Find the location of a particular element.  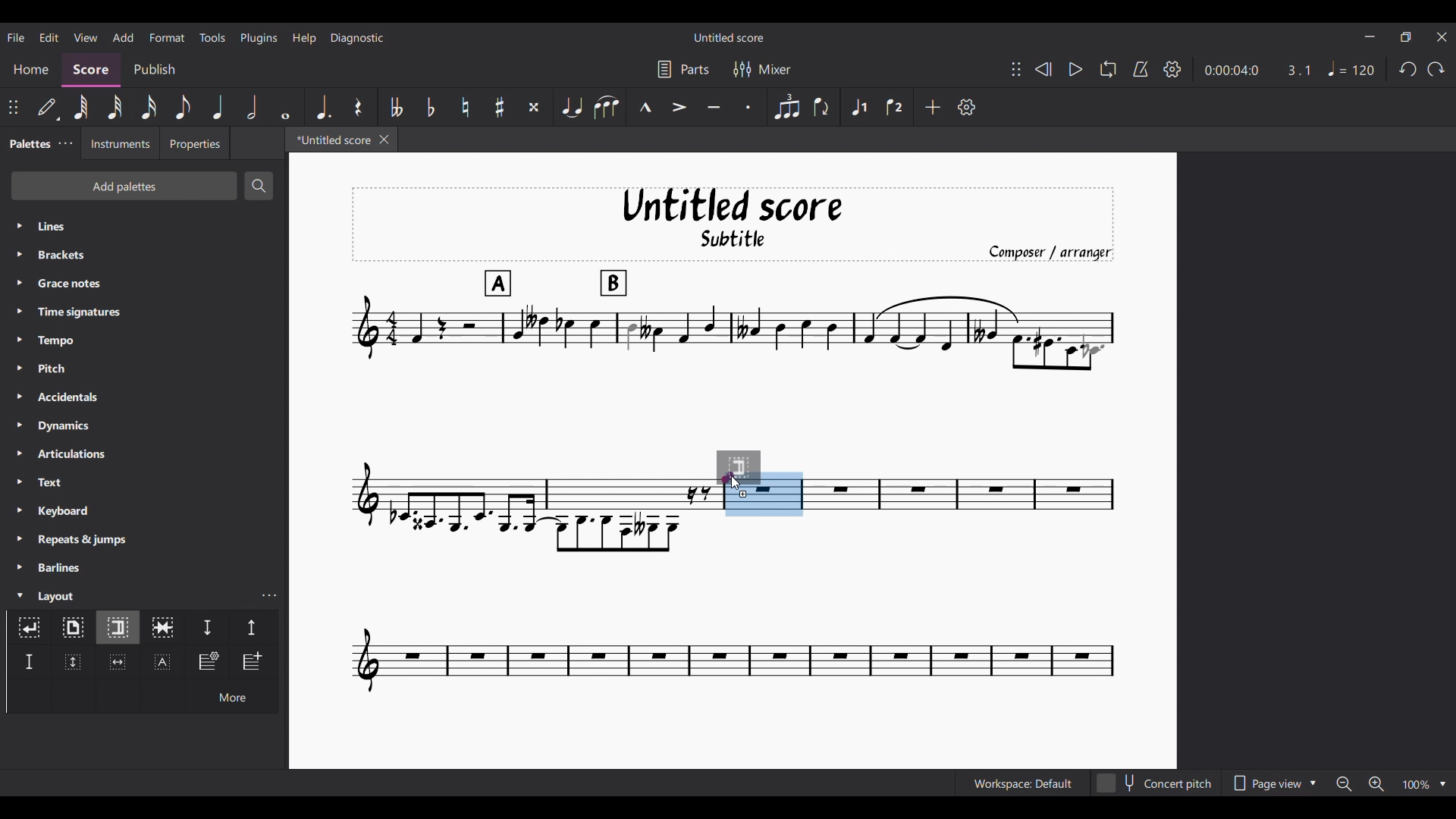

Tools menu is located at coordinates (212, 37).